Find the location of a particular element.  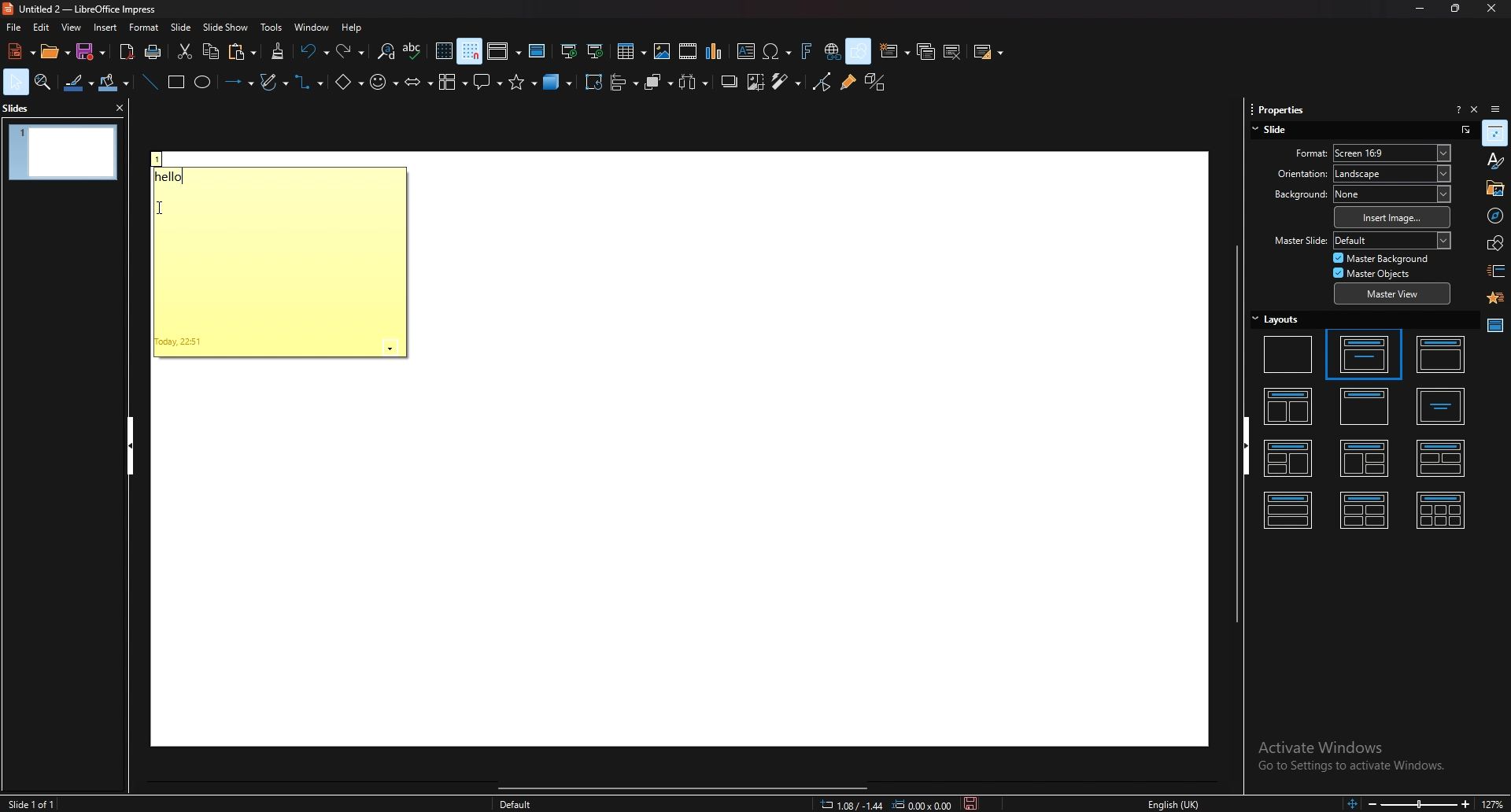

gallery is located at coordinates (1494, 187).